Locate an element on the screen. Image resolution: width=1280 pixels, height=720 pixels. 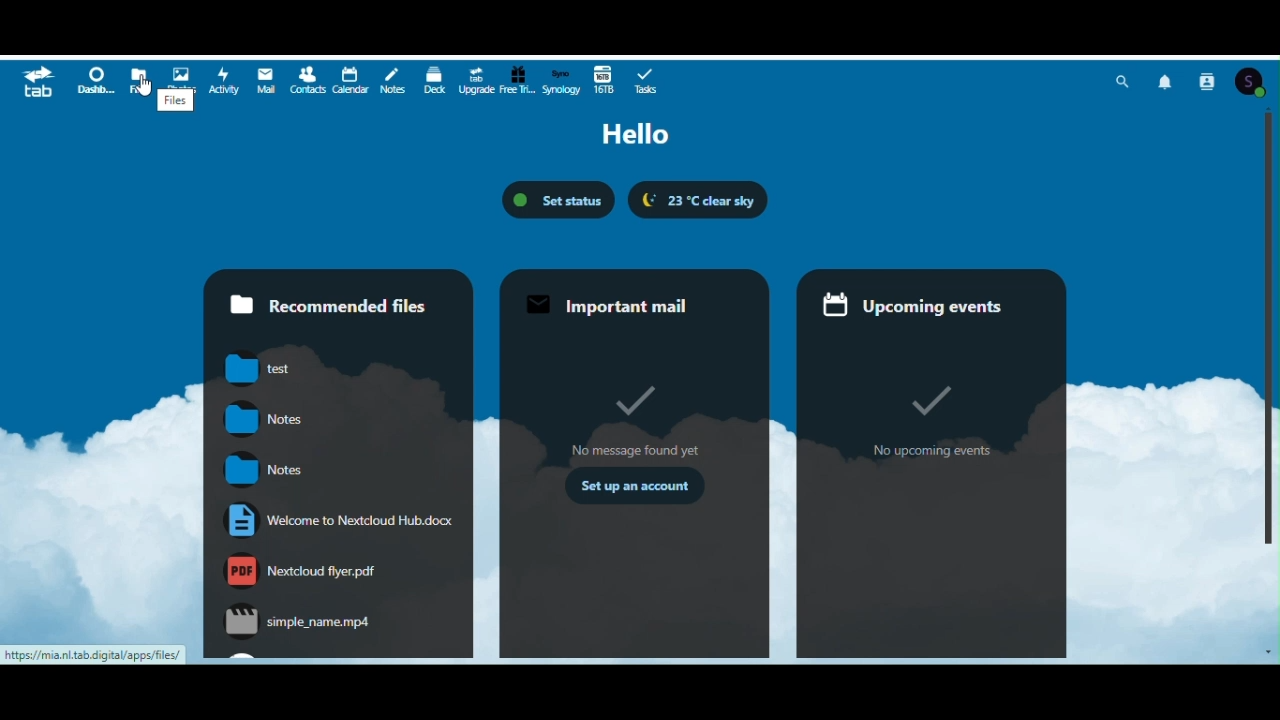
simple_name.mp4 is located at coordinates (298, 621).